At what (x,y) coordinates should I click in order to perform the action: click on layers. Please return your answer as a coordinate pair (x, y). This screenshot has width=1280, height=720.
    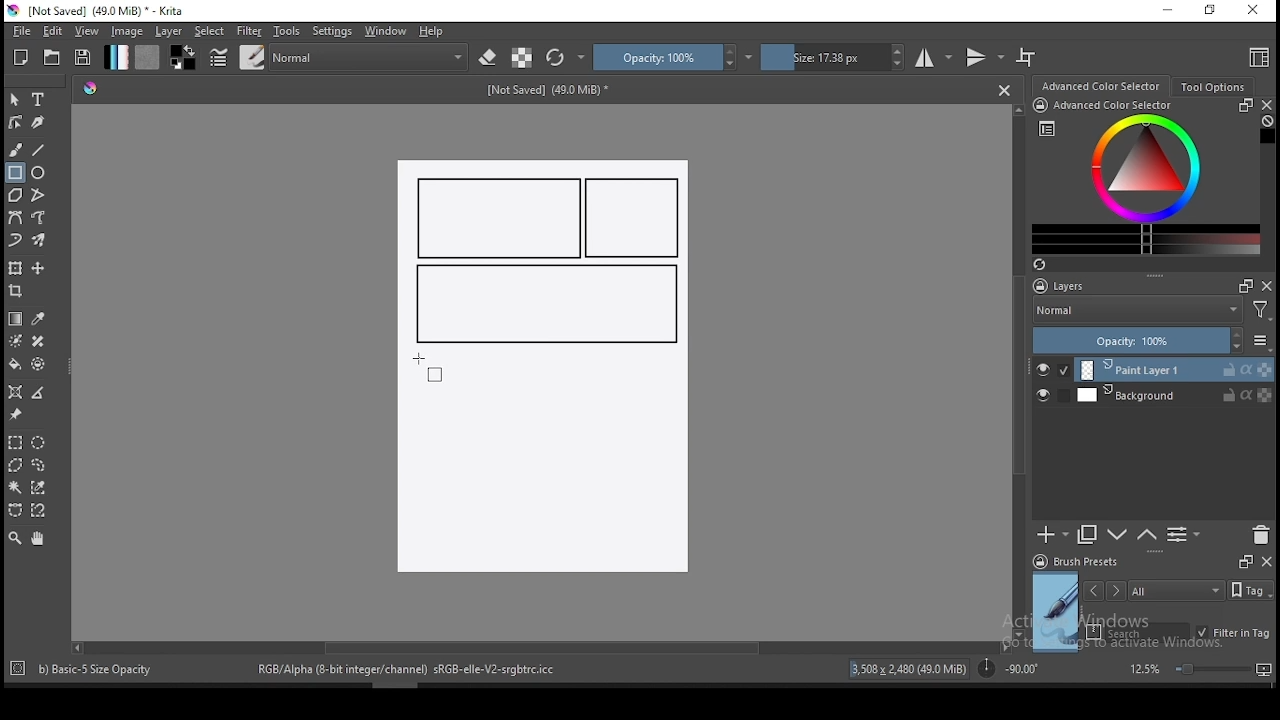
    Looking at the image, I should click on (1065, 287).